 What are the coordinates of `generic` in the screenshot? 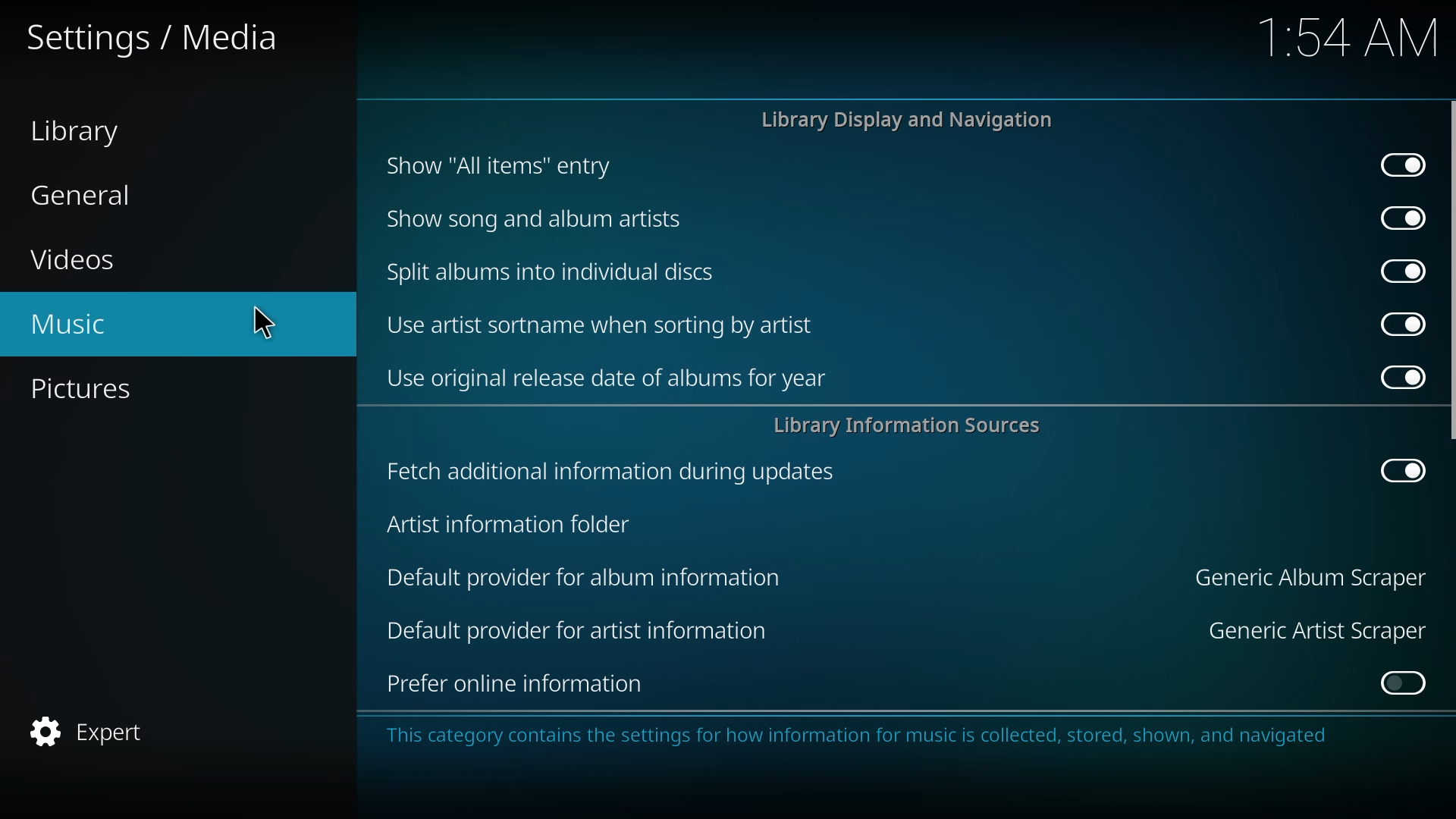 It's located at (1308, 580).